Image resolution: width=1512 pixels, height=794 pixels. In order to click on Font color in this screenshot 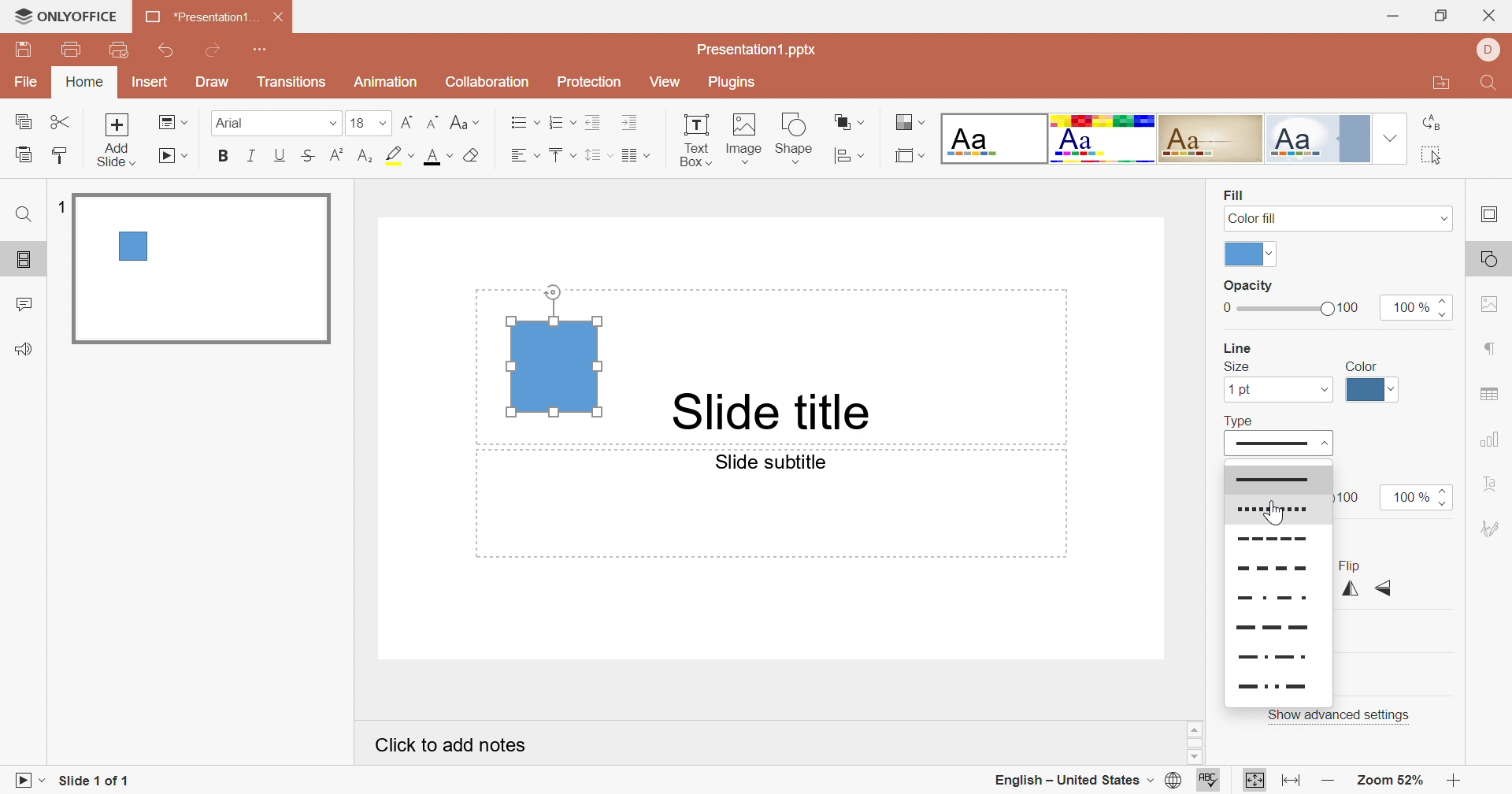, I will do `click(434, 158)`.